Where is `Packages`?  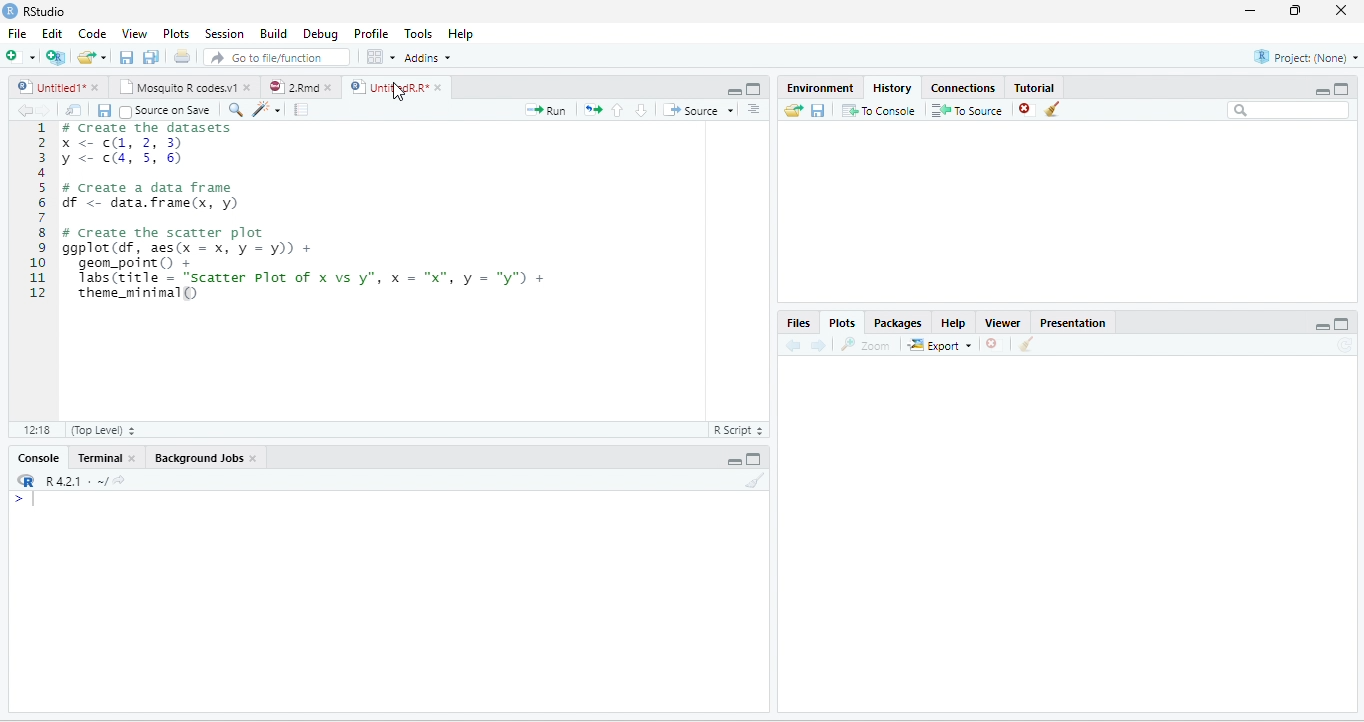 Packages is located at coordinates (896, 322).